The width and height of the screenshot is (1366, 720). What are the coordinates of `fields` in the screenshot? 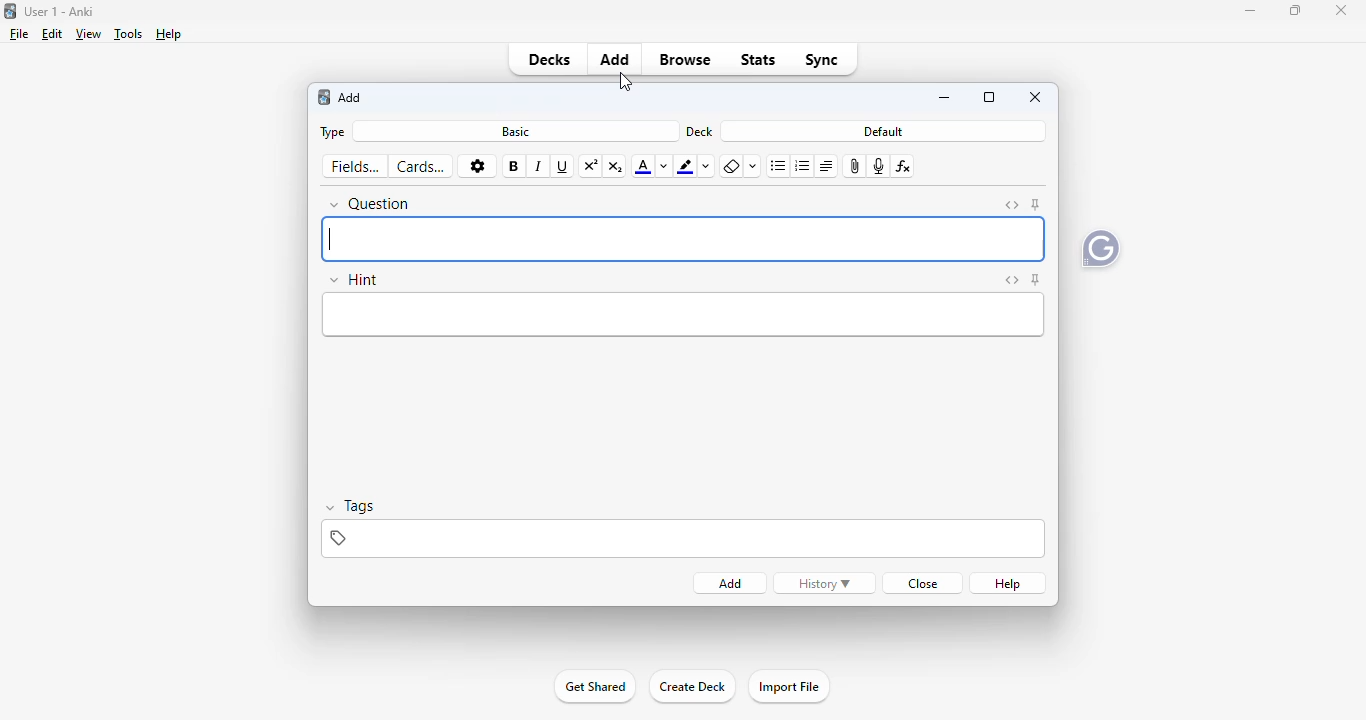 It's located at (355, 167).